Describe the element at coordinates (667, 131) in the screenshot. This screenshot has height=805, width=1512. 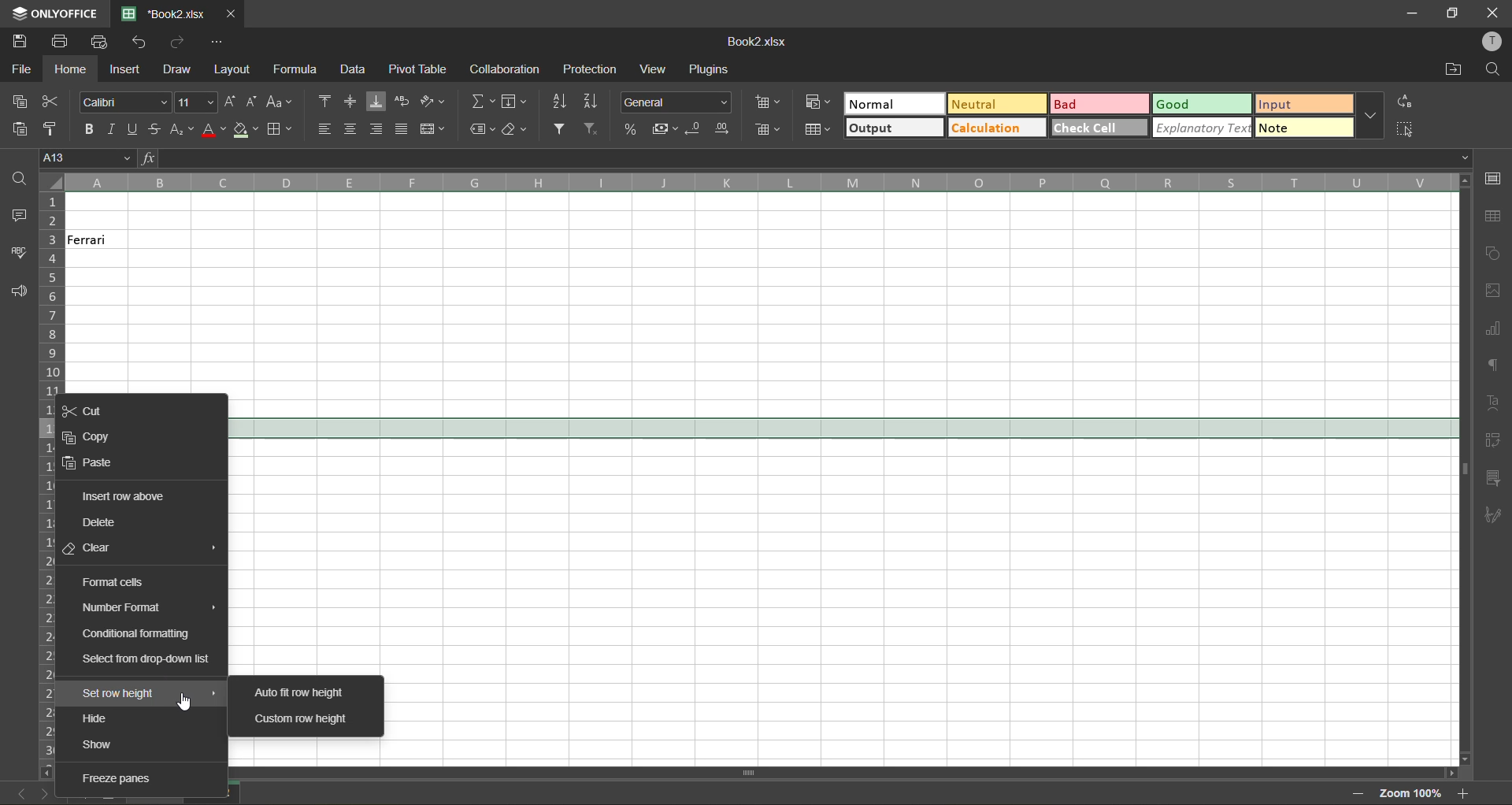
I see `accounting` at that location.